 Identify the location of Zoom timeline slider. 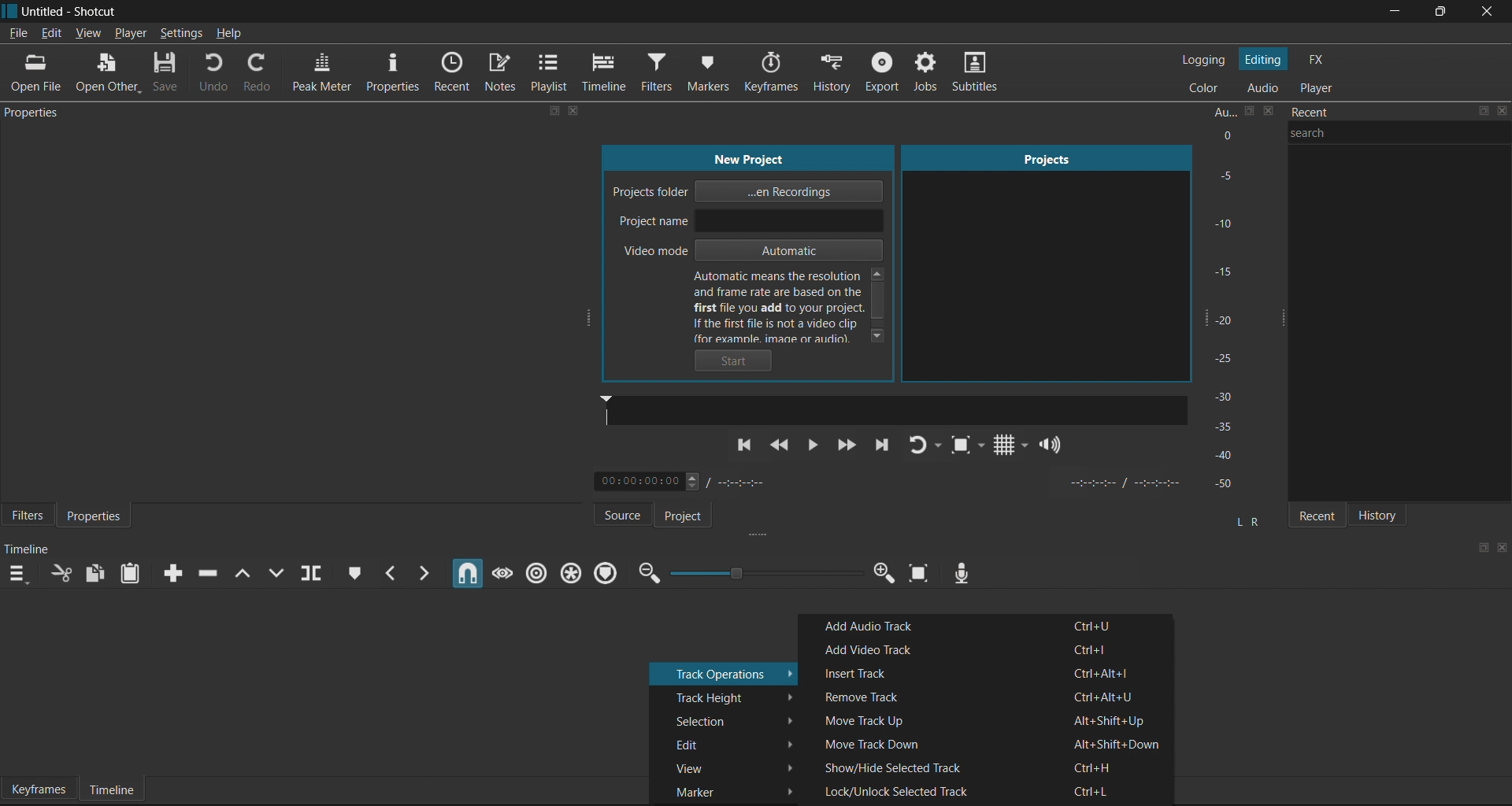
(762, 575).